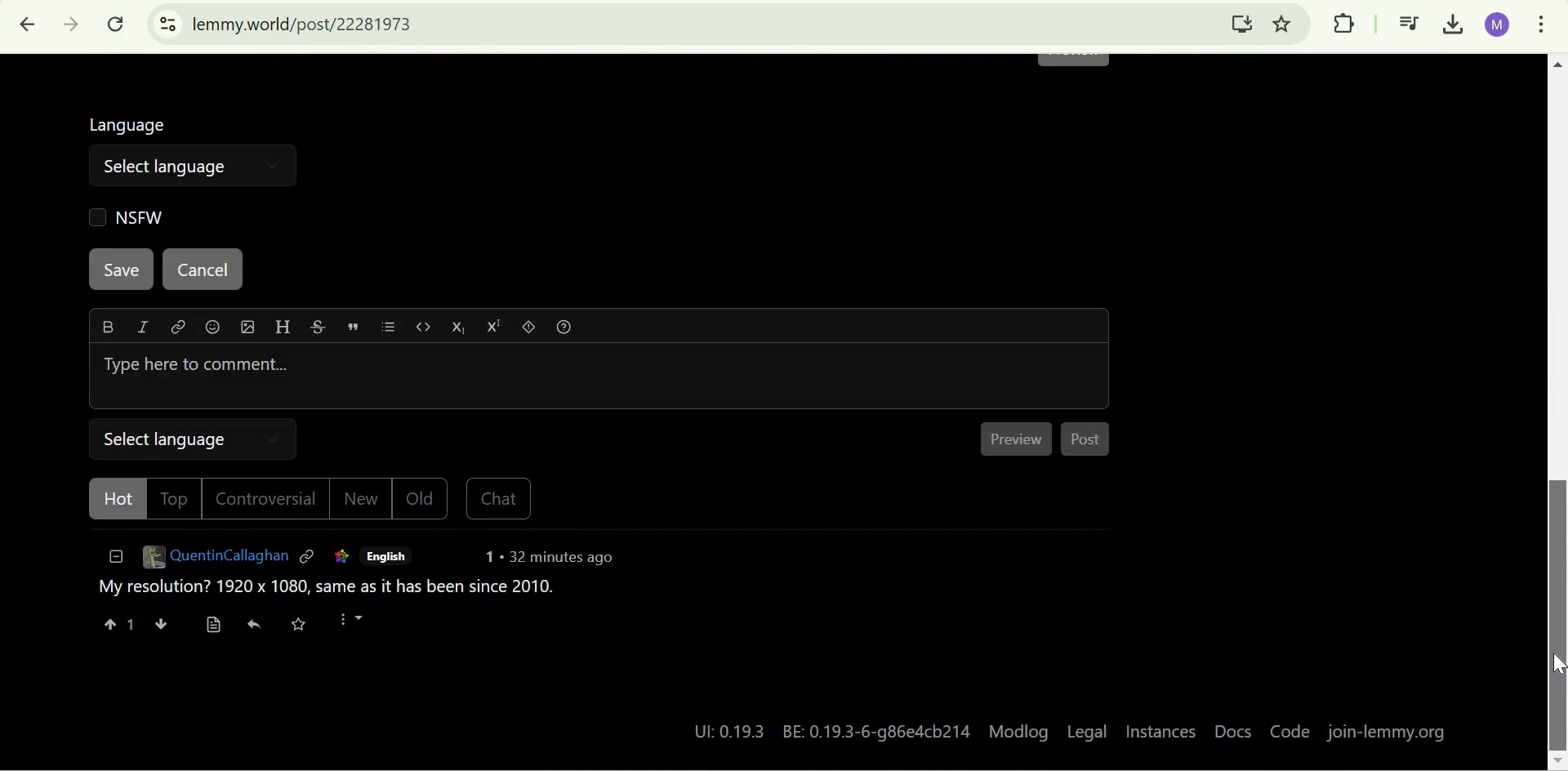  What do you see at coordinates (360, 626) in the screenshot?
I see `More` at bounding box center [360, 626].